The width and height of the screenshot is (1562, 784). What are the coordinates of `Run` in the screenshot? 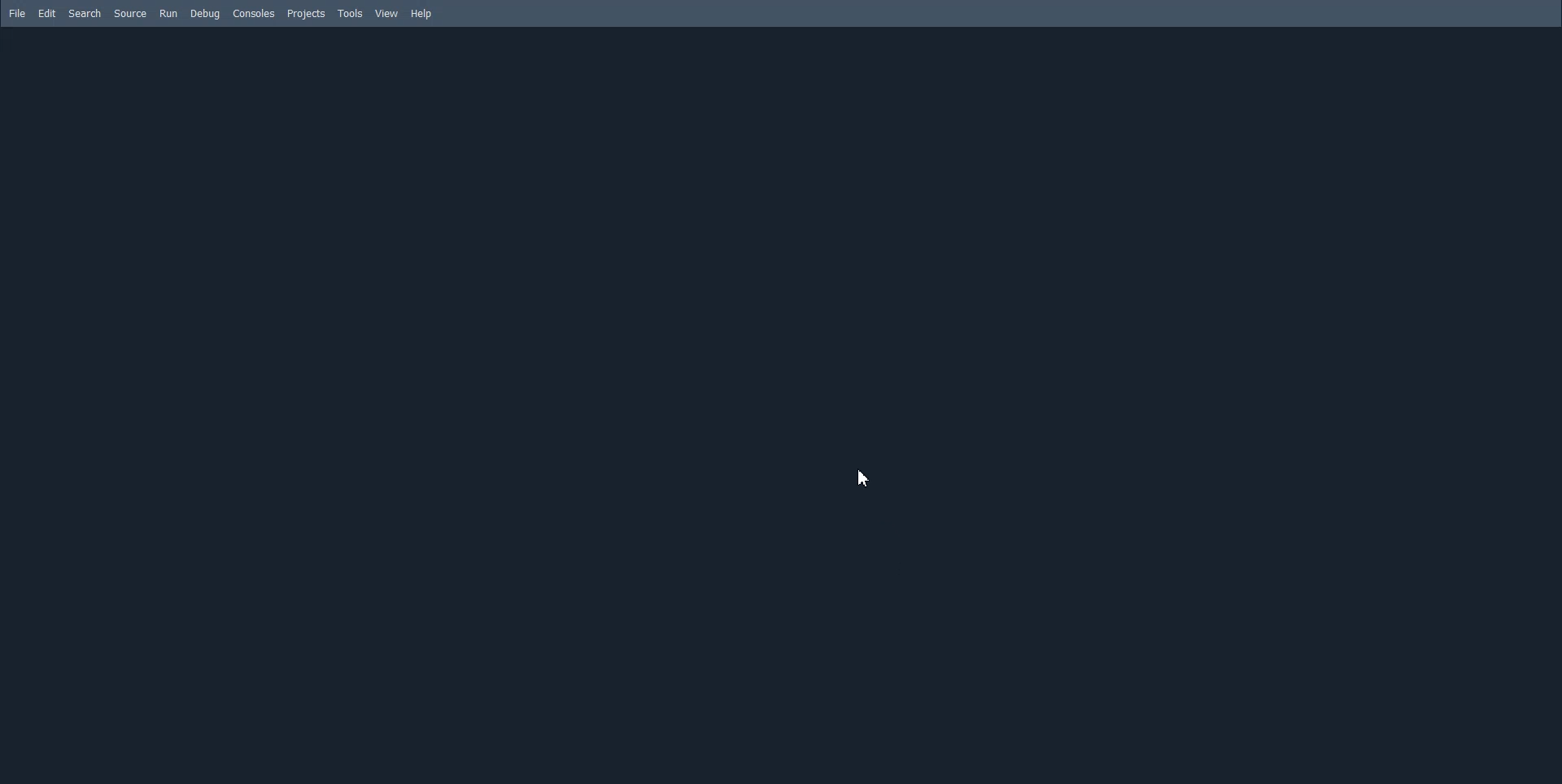 It's located at (168, 14).